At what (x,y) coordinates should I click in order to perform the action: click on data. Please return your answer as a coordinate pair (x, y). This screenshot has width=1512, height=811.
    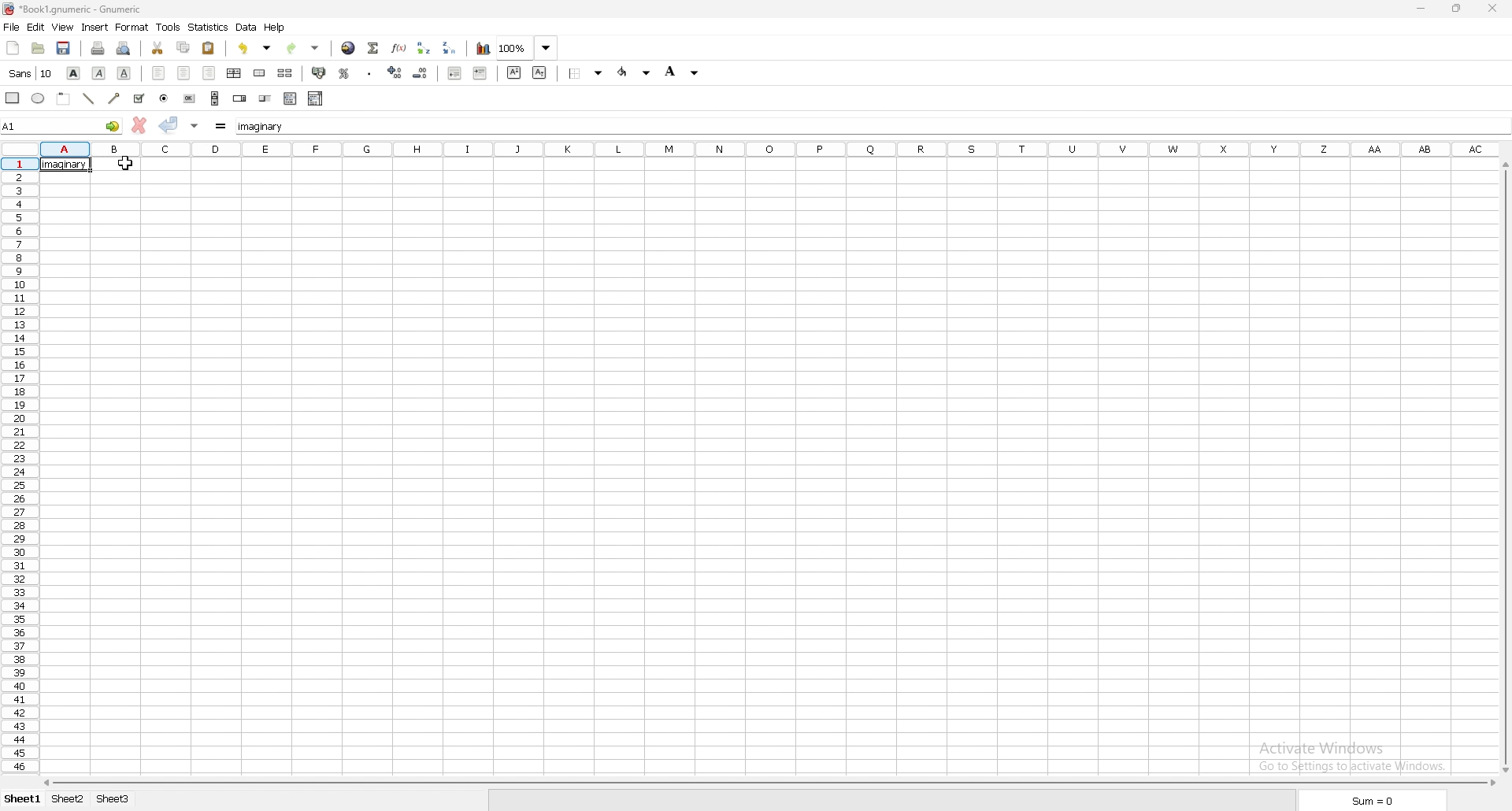
    Looking at the image, I should click on (247, 28).